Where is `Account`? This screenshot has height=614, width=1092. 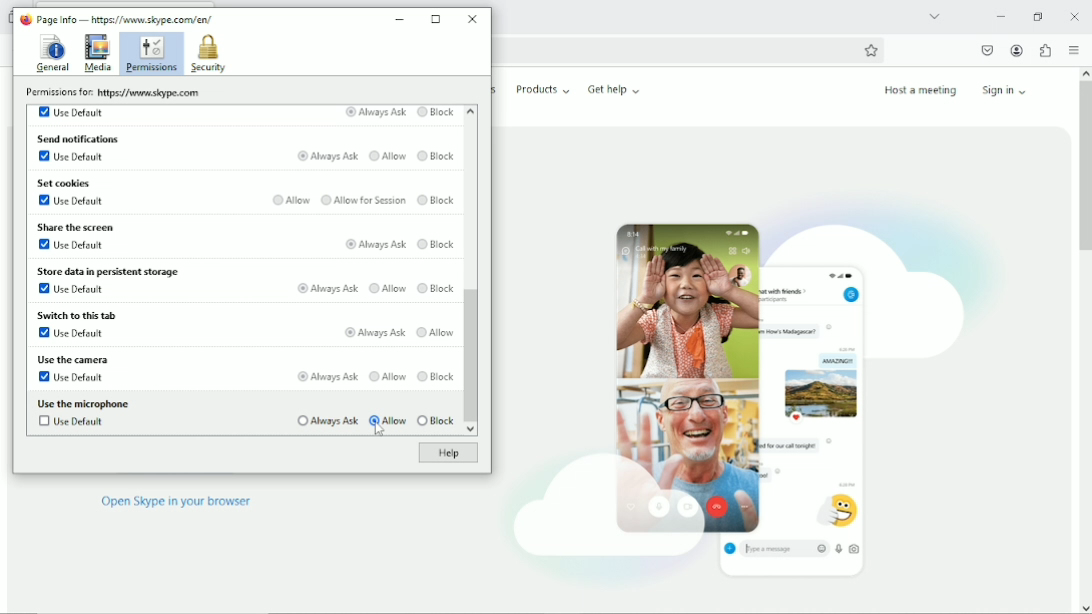 Account is located at coordinates (1017, 51).